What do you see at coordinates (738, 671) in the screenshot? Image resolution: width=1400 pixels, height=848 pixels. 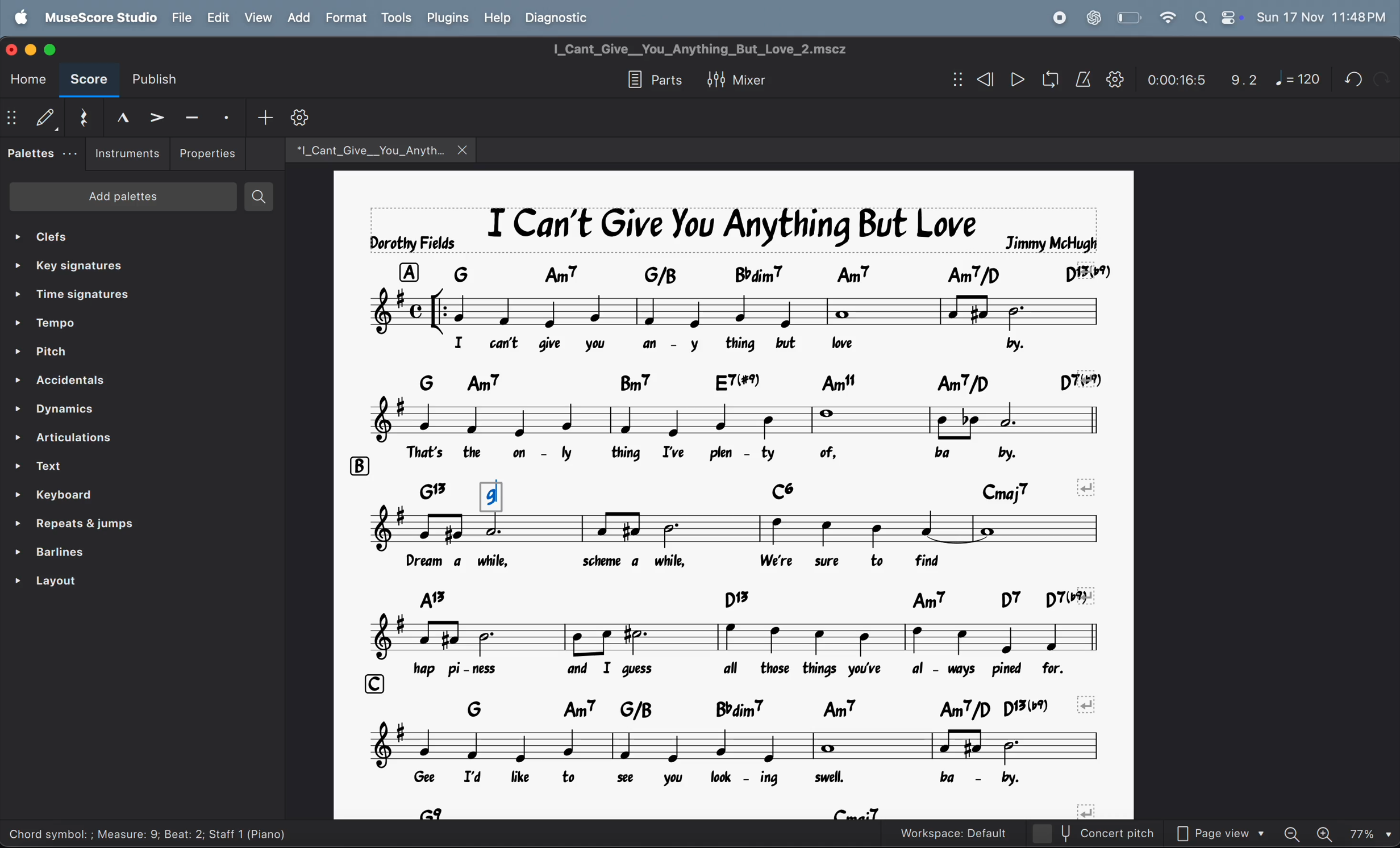 I see `lyrics` at bounding box center [738, 671].